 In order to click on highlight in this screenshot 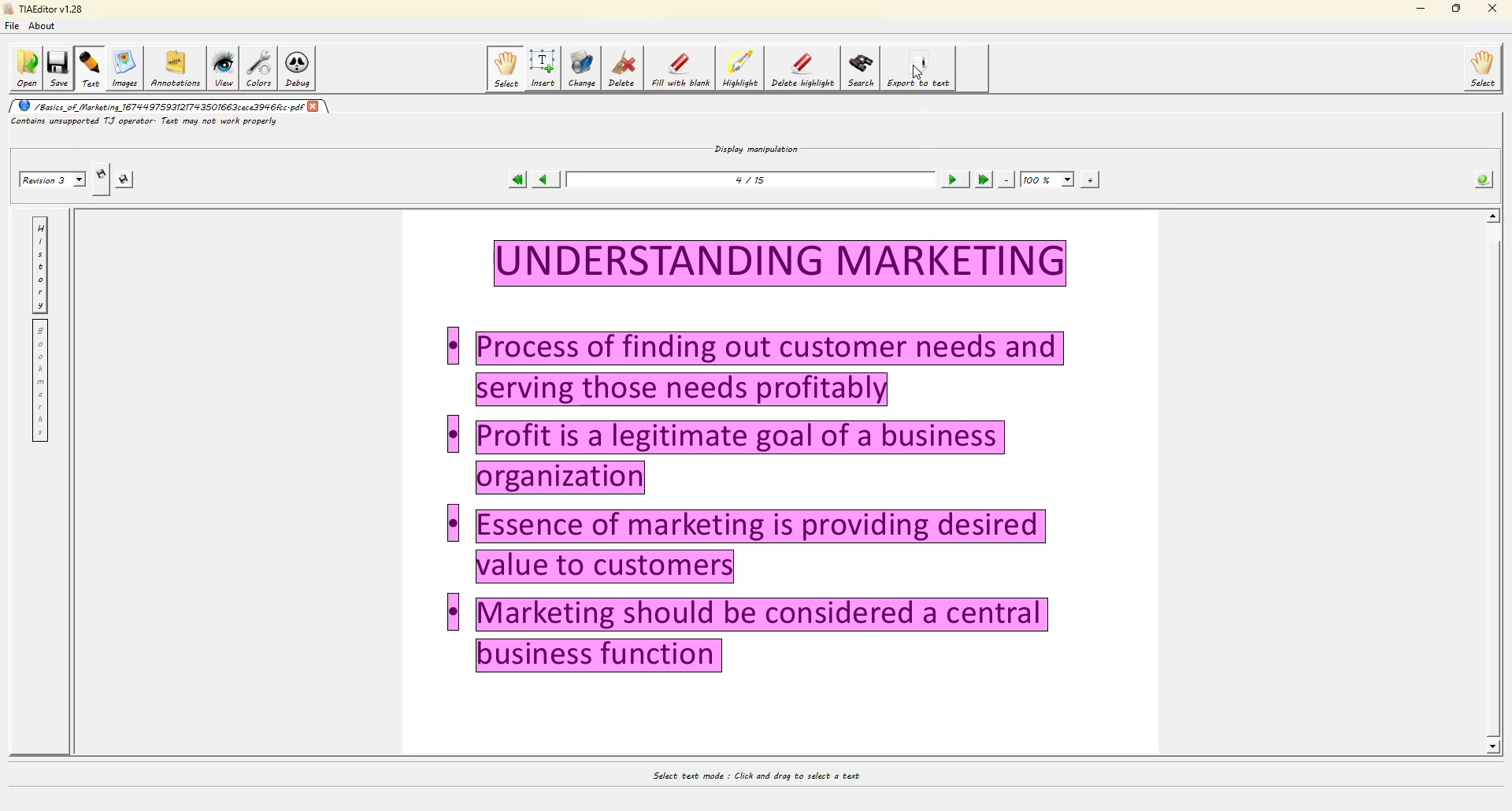, I will do `click(743, 68)`.